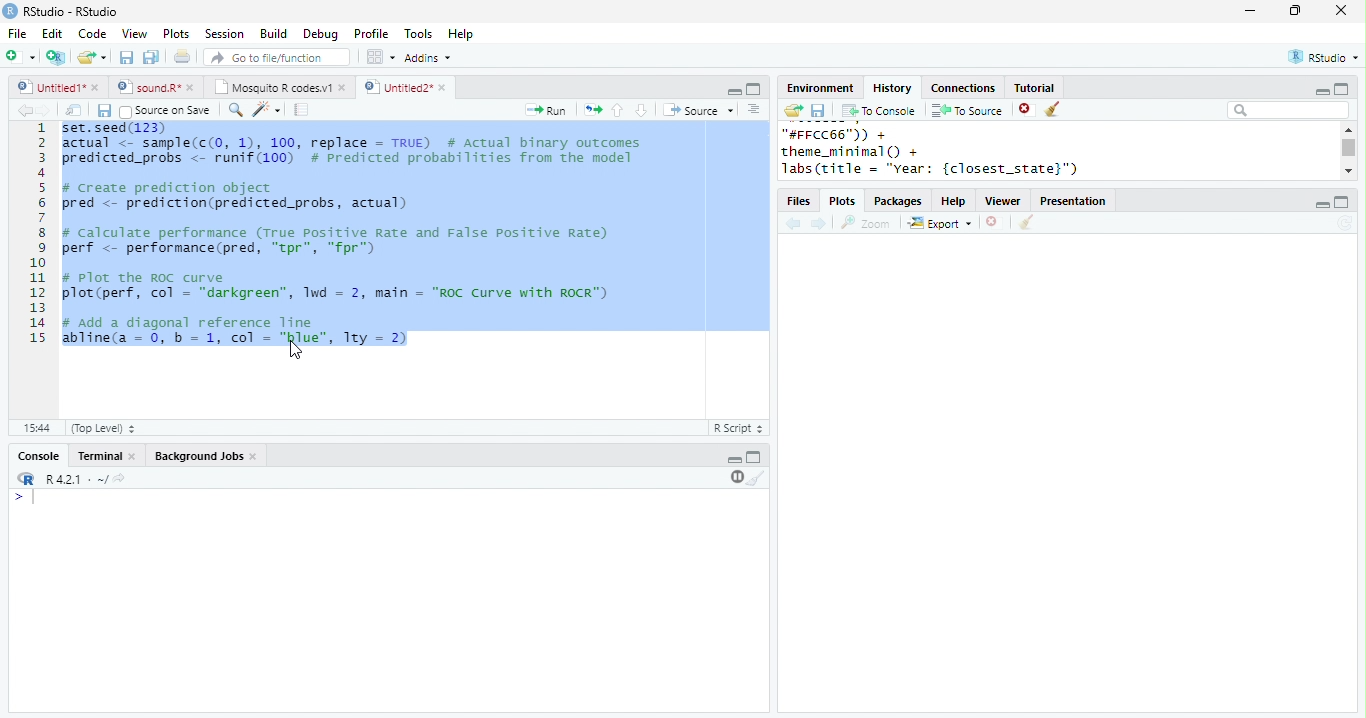  I want to click on To console, so click(879, 111).